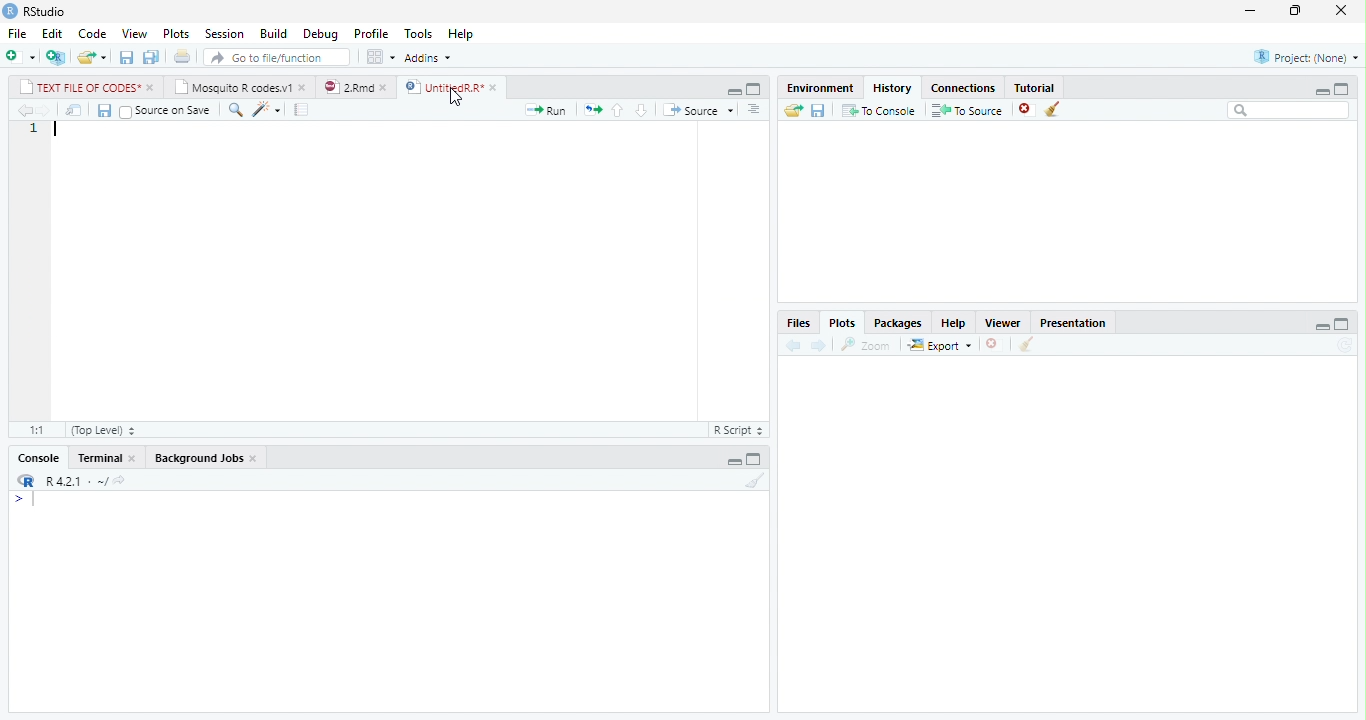 The width and height of the screenshot is (1366, 720). I want to click on Zoom, so click(866, 345).